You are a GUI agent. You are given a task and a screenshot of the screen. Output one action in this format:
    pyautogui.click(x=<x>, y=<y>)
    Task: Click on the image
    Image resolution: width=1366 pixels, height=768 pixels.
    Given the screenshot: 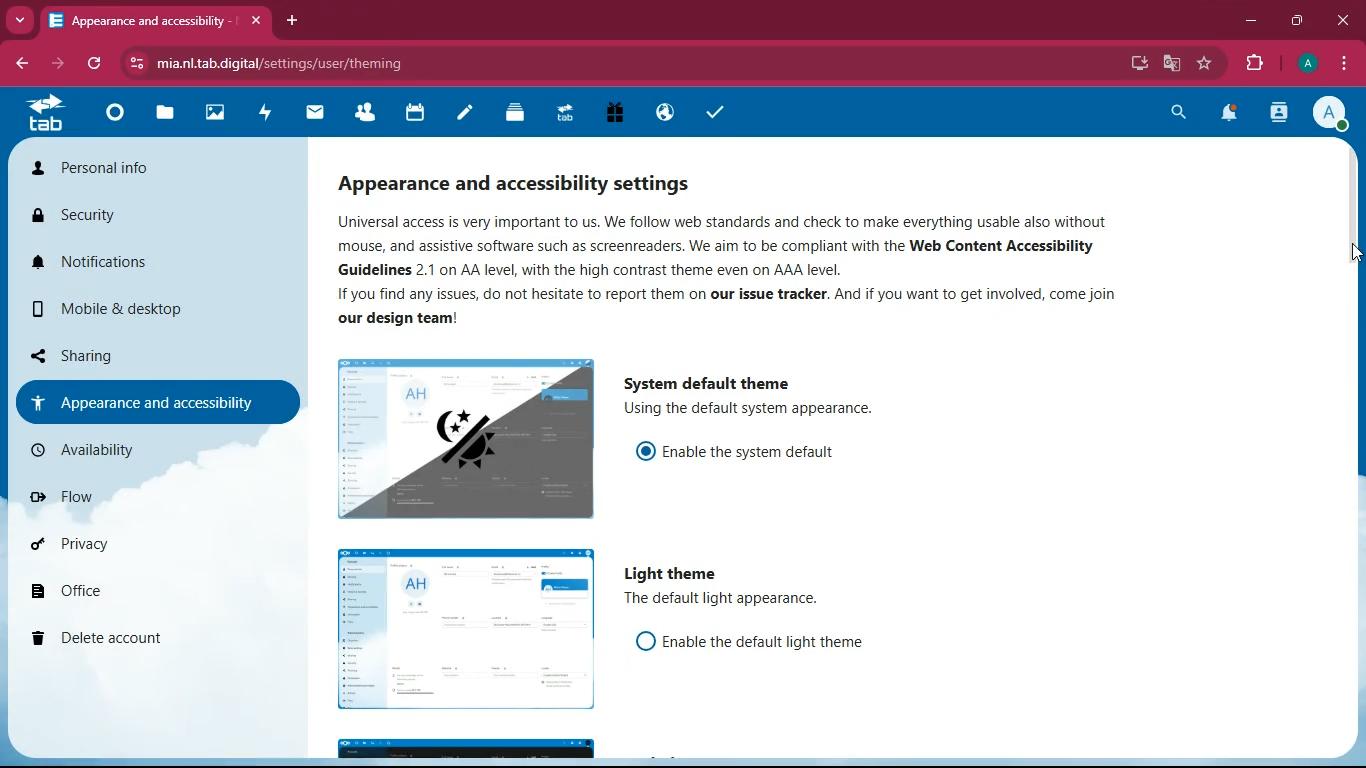 What is the action you would take?
    pyautogui.click(x=470, y=748)
    